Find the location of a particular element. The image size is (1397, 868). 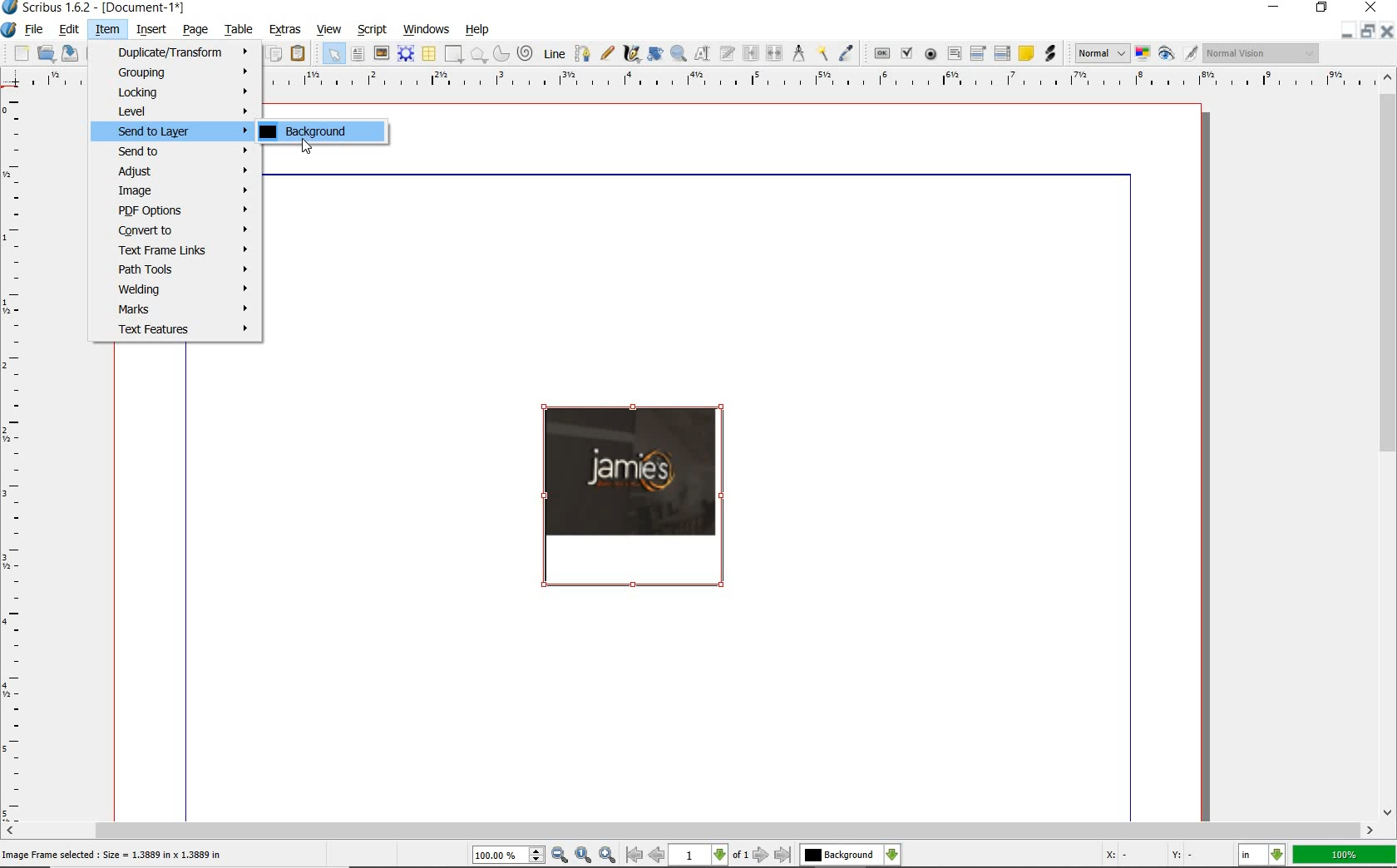

Restore Down is located at coordinates (1343, 31).